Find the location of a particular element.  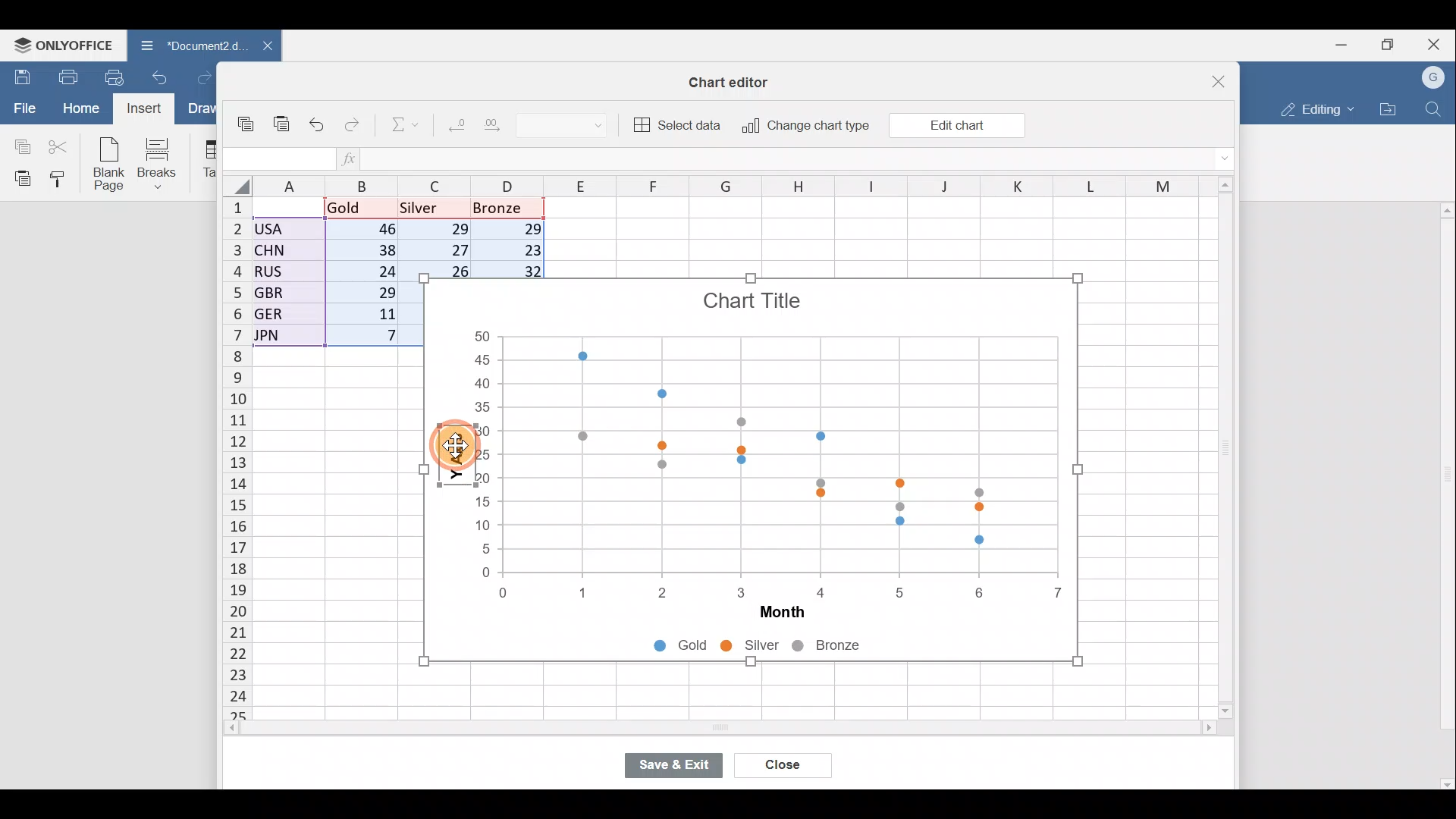

Print file is located at coordinates (67, 76).